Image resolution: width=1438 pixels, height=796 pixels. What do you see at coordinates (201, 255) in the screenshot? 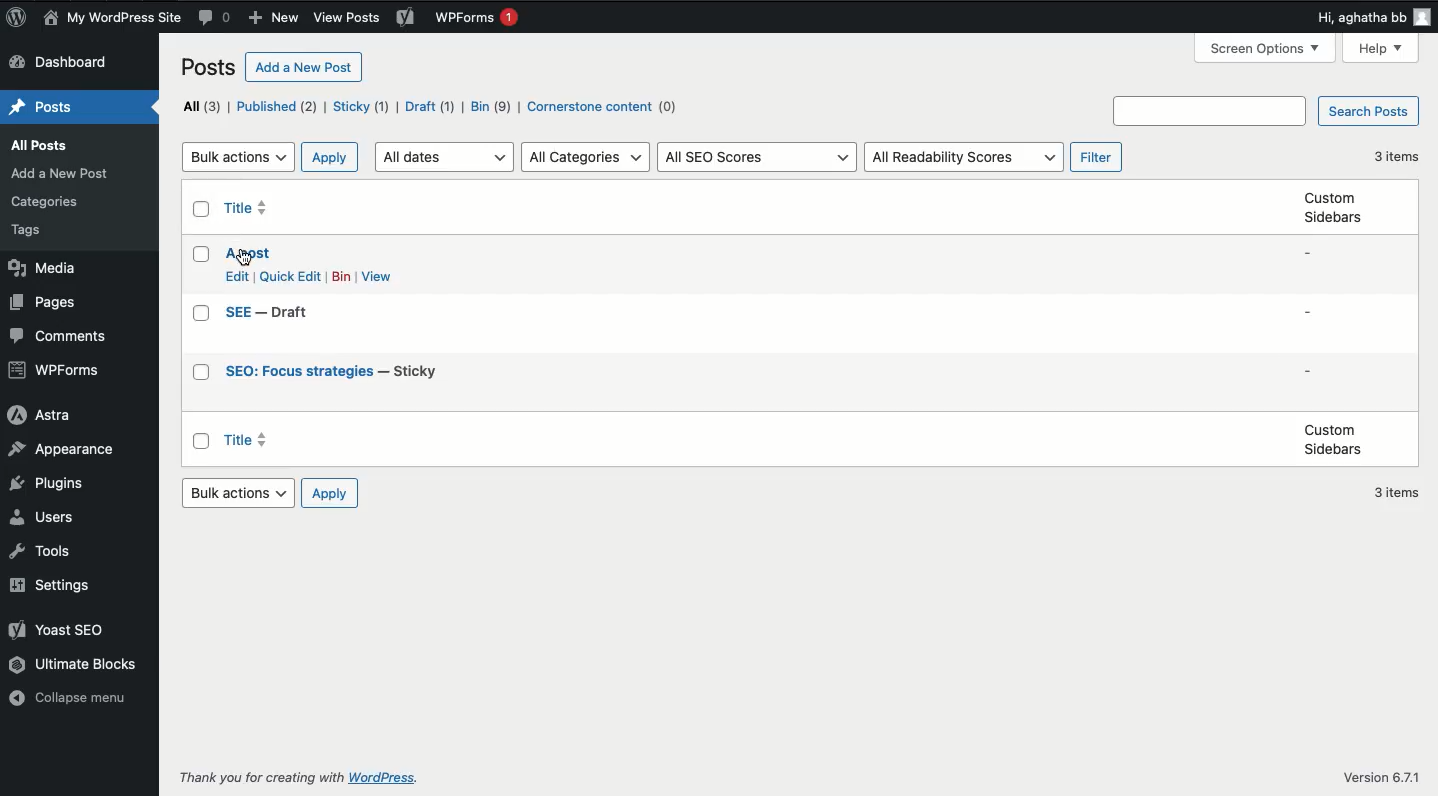
I see `Checkbox` at bounding box center [201, 255].